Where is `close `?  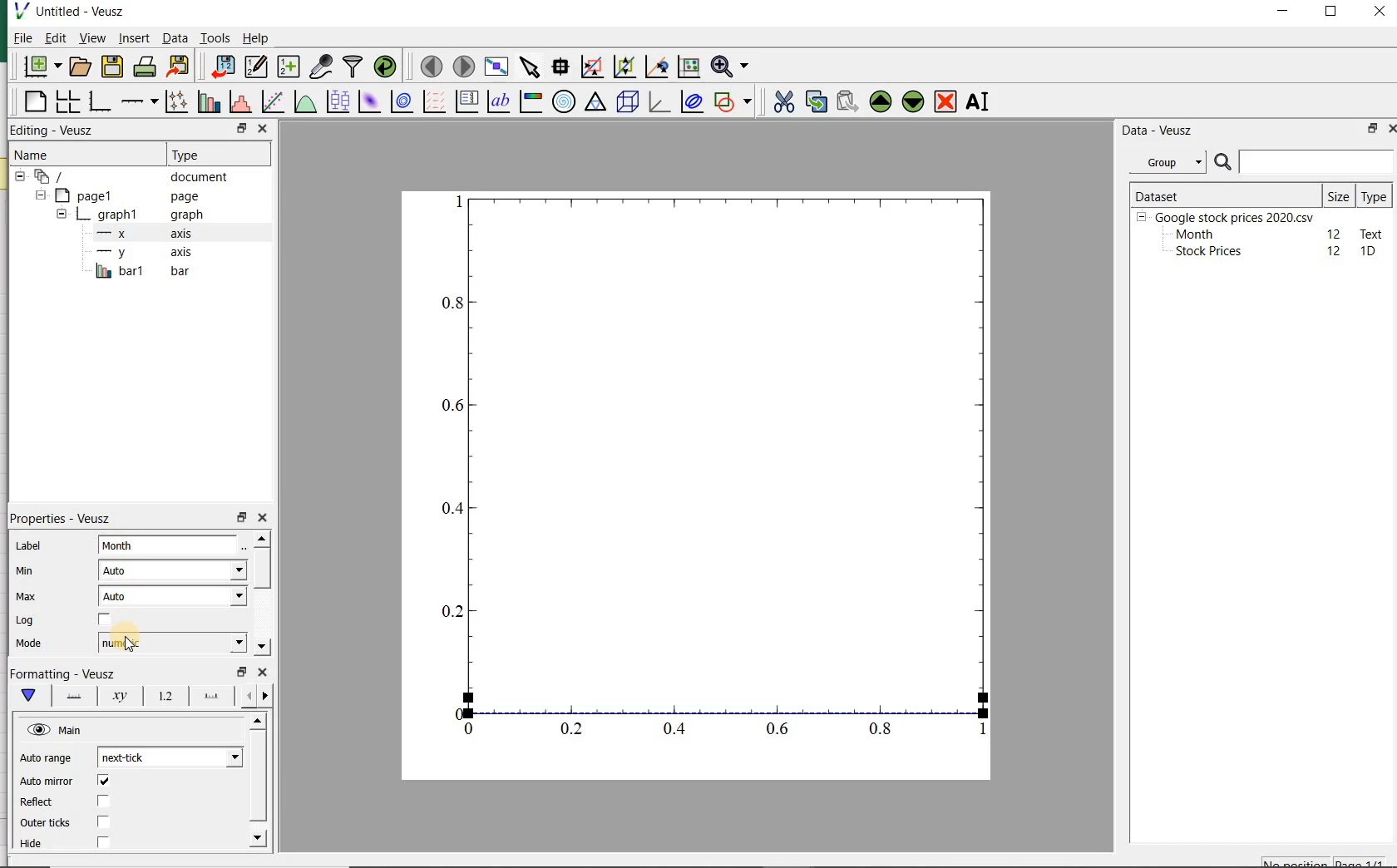
close  is located at coordinates (1396, 129).